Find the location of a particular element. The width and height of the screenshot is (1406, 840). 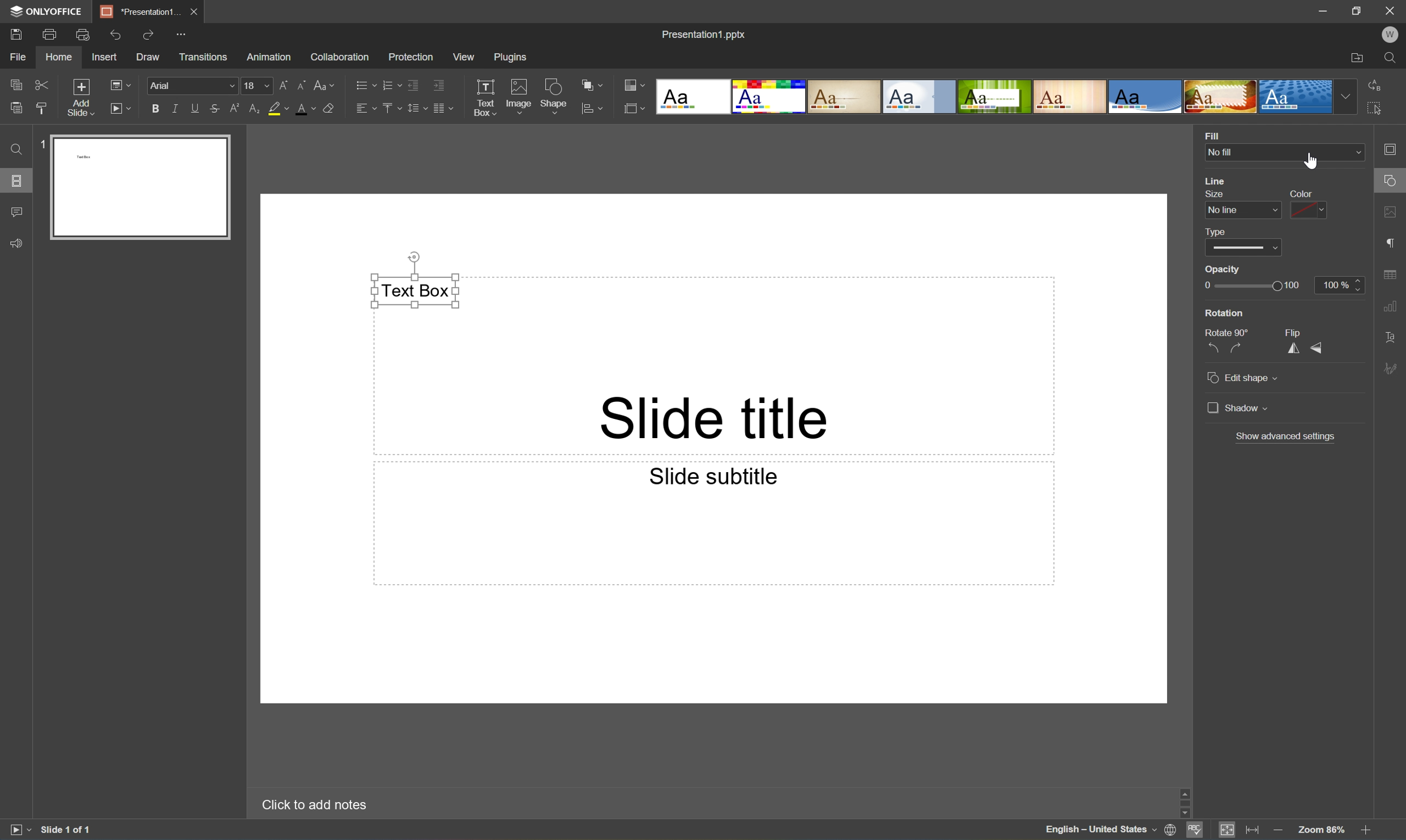

Rotate 90° clockwise is located at coordinates (1239, 349).